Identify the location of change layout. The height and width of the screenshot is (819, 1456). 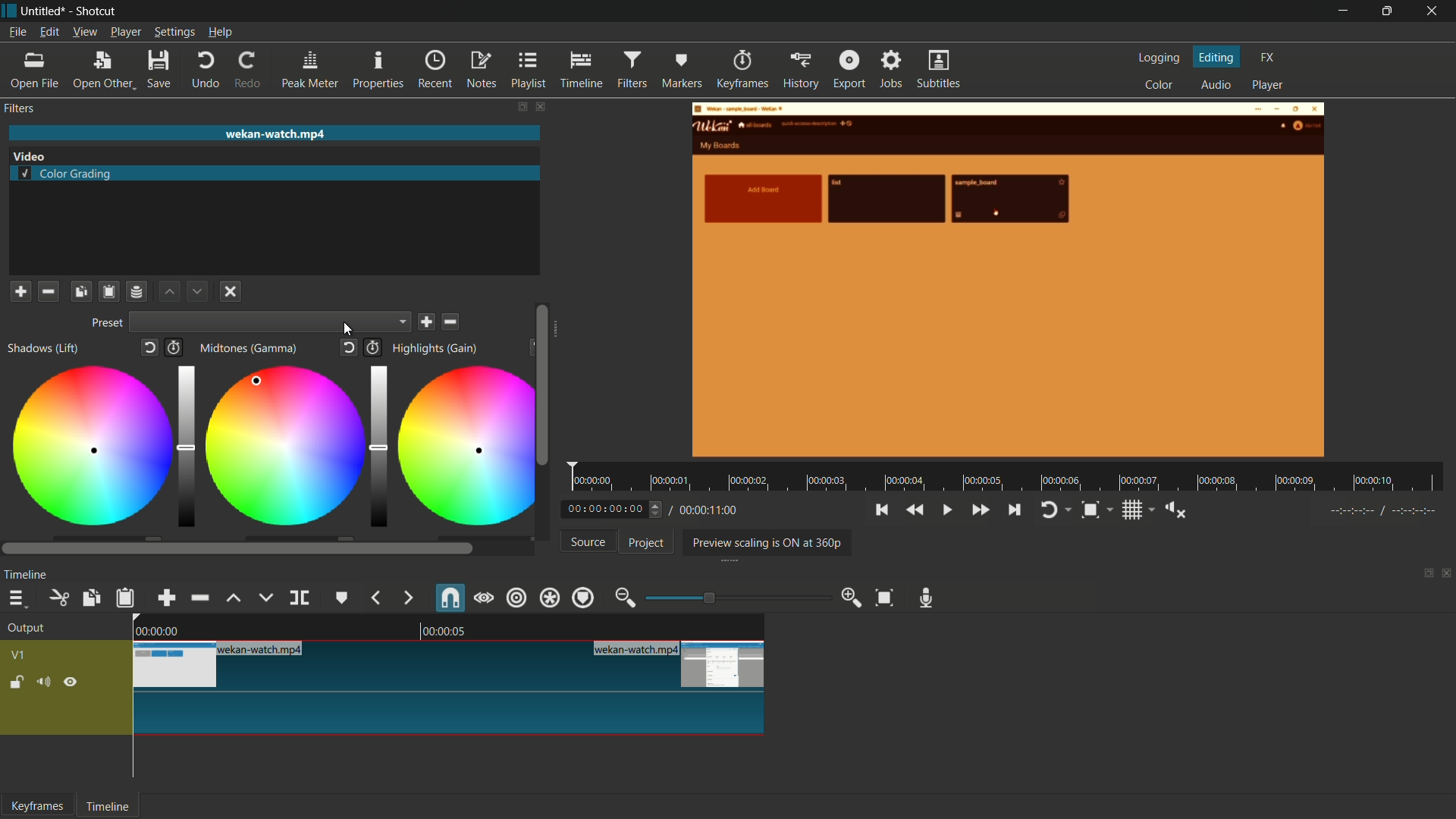
(1423, 577).